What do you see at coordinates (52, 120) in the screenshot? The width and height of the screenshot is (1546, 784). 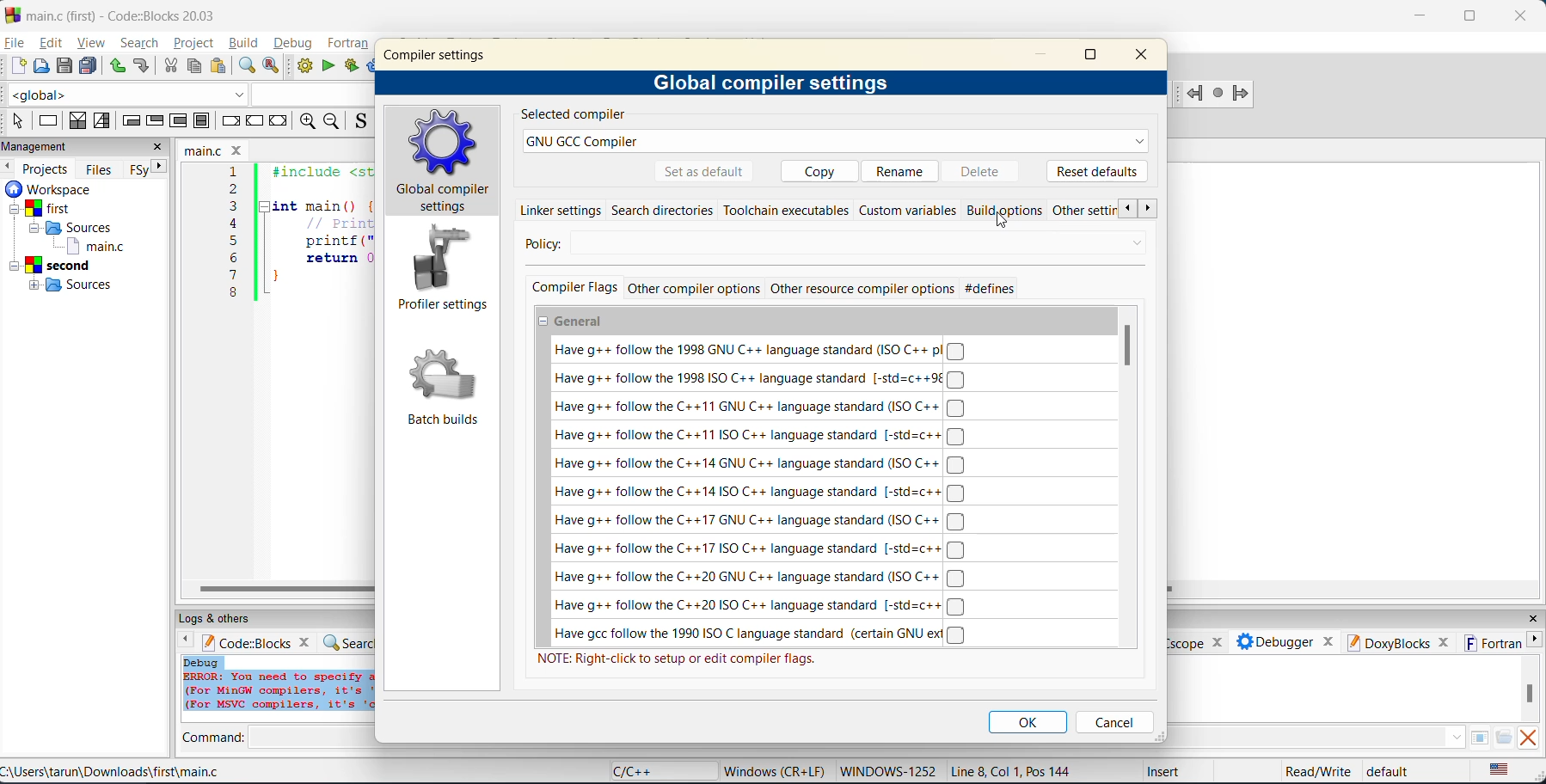 I see `instruction` at bounding box center [52, 120].